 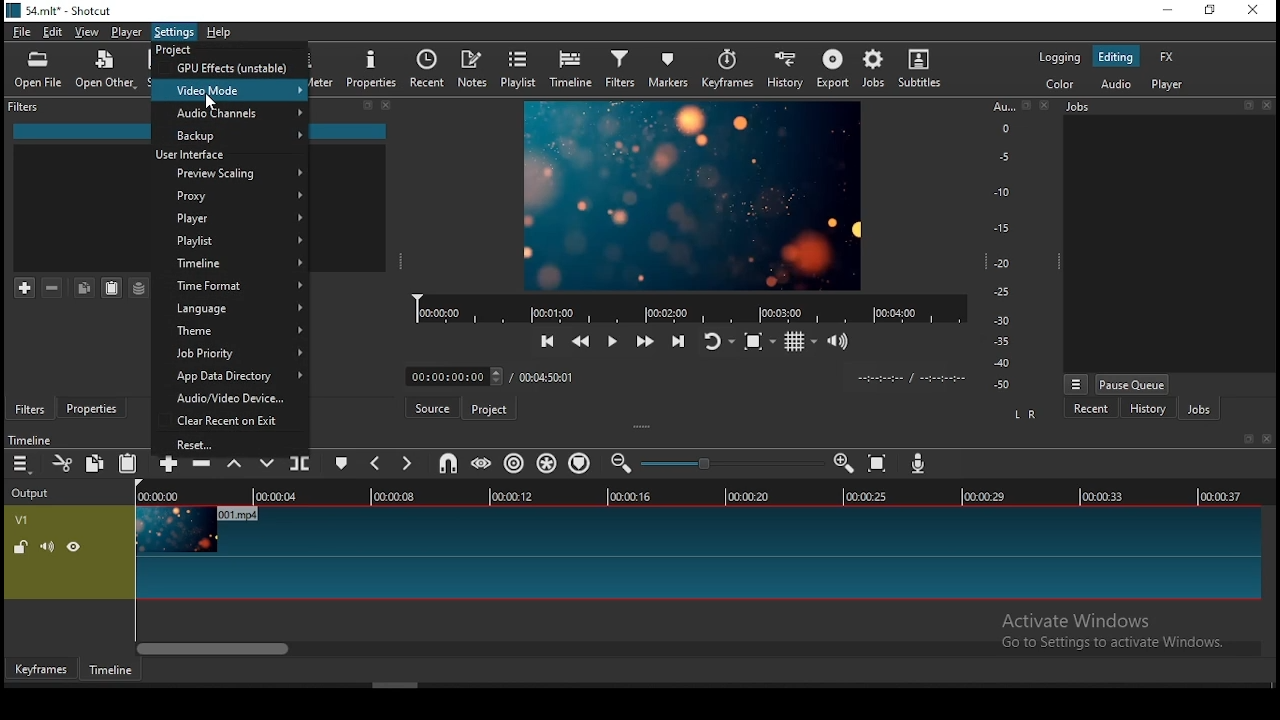 What do you see at coordinates (24, 464) in the screenshot?
I see `timeline menu` at bounding box center [24, 464].